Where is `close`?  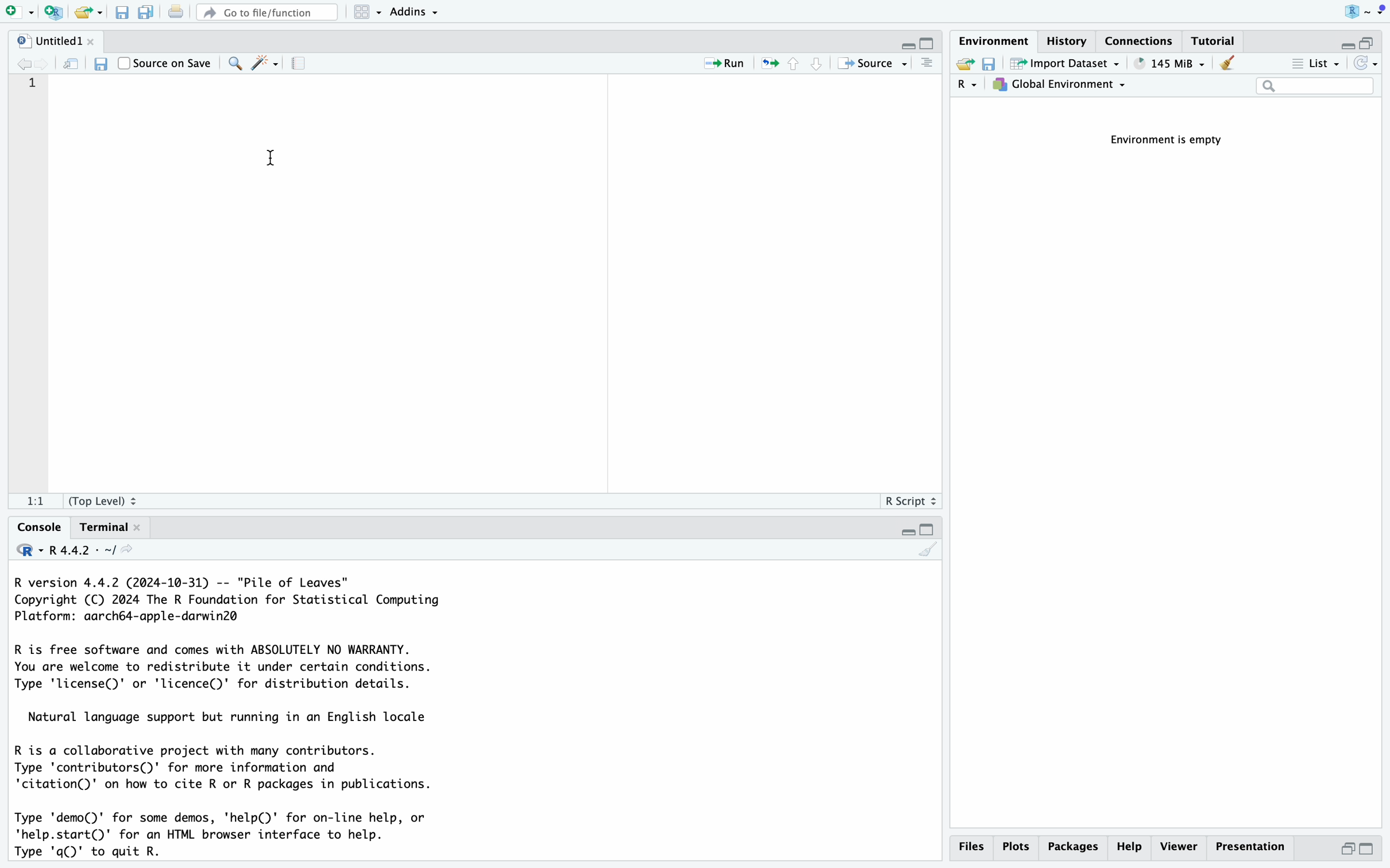 close is located at coordinates (93, 40).